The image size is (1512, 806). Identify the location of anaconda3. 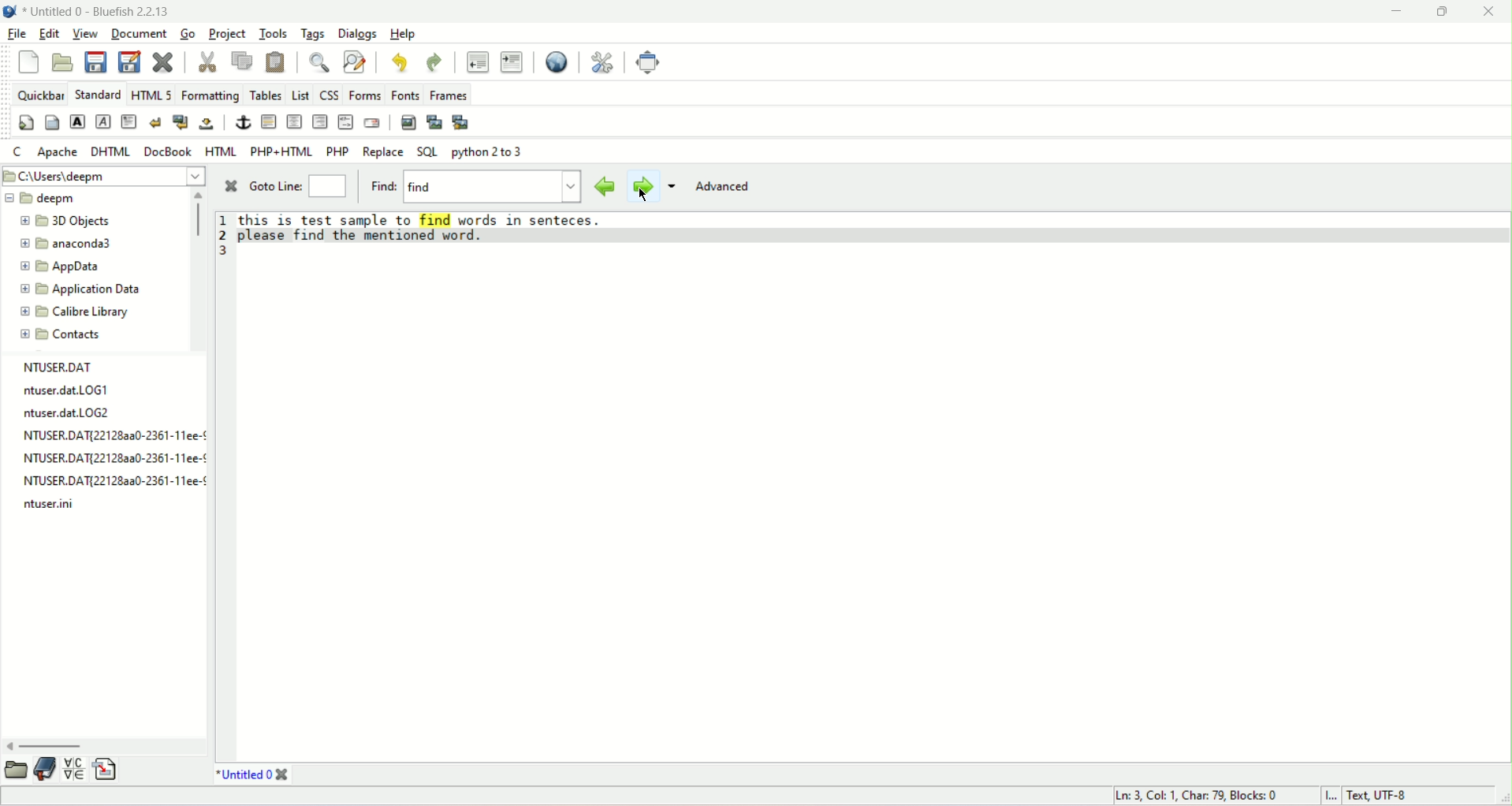
(73, 243).